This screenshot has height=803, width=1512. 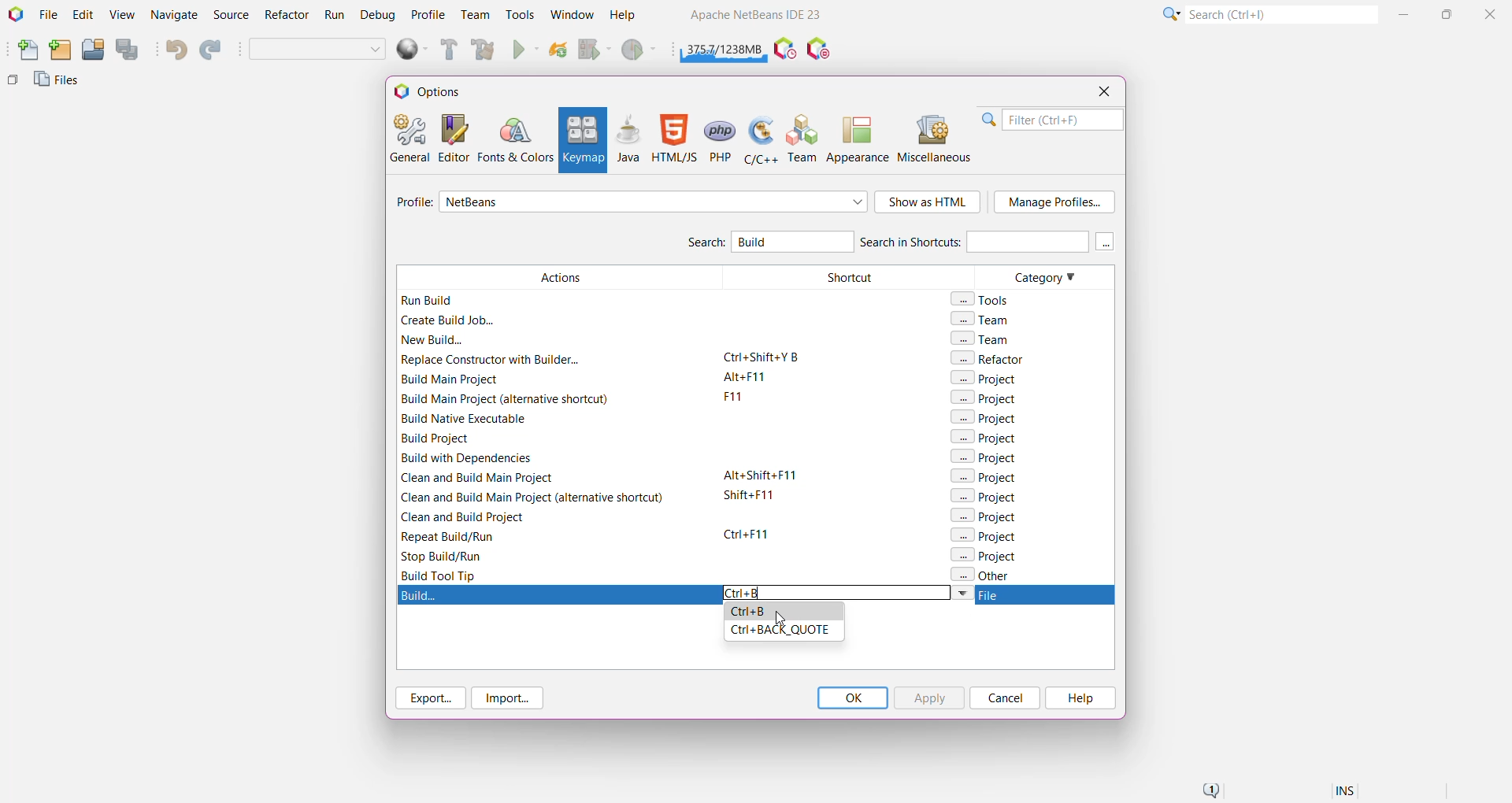 I want to click on Notifications, so click(x=1210, y=791).